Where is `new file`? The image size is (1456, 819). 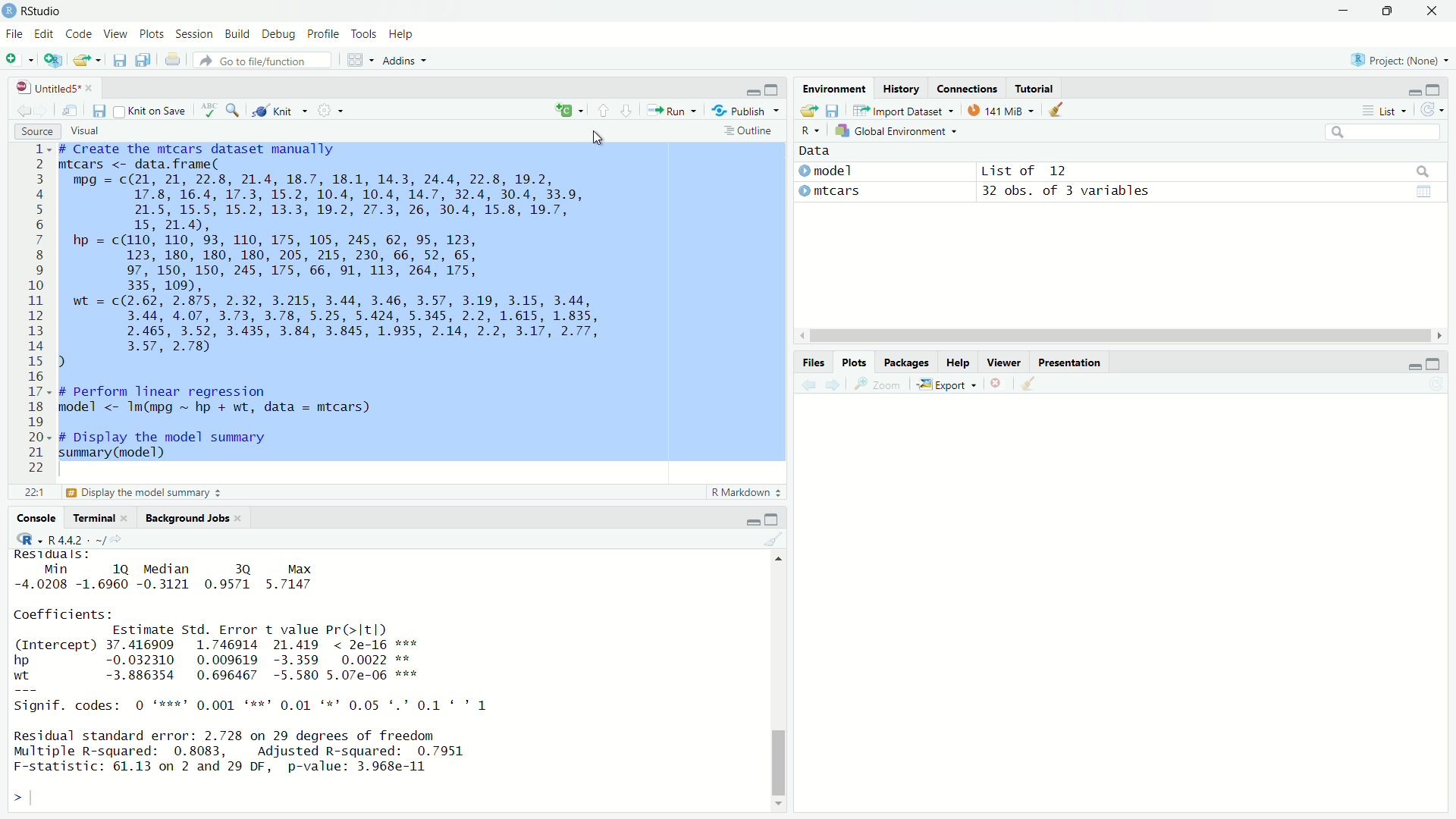
new file is located at coordinates (14, 58).